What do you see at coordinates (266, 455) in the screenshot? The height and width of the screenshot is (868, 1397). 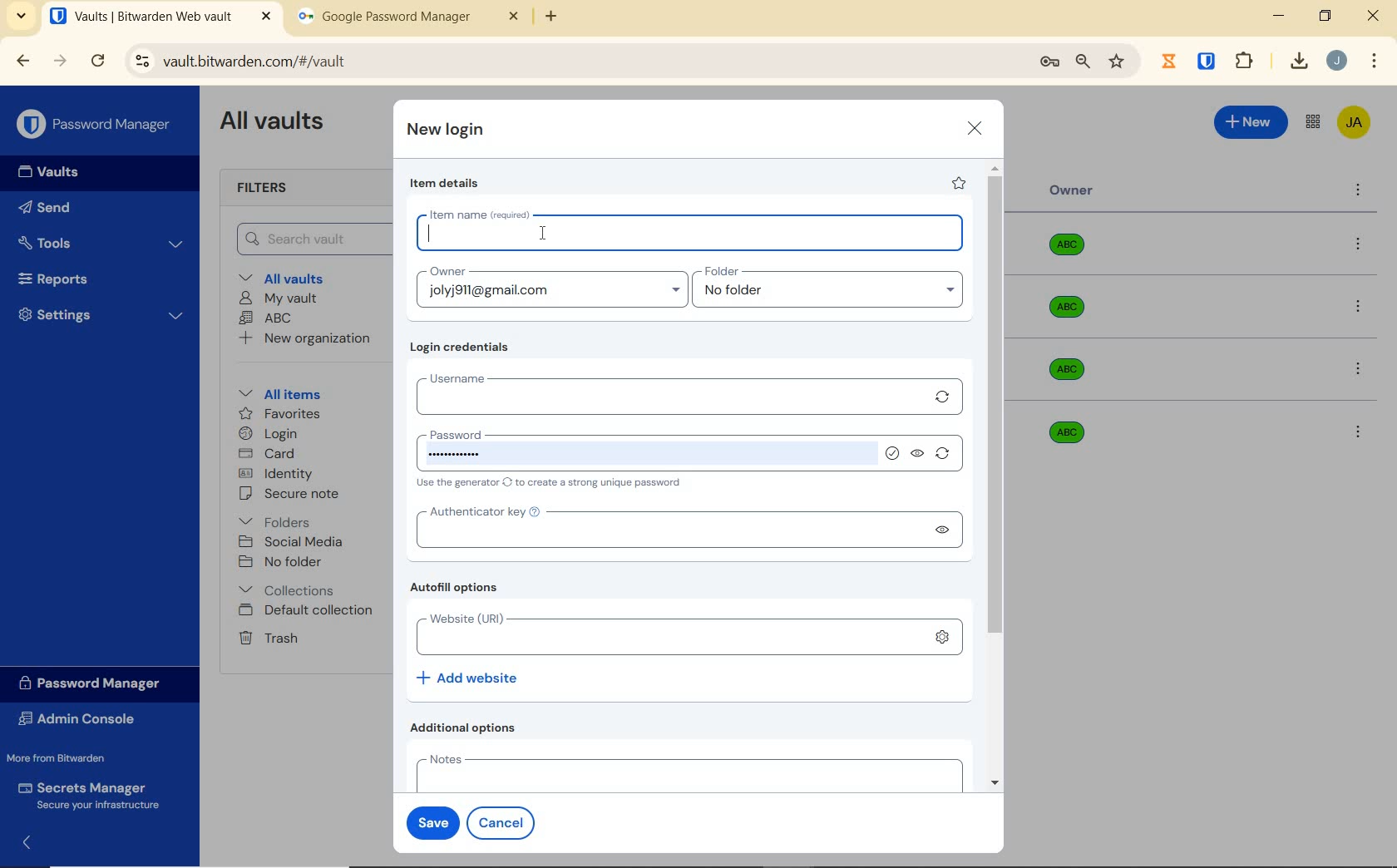 I see `card` at bounding box center [266, 455].